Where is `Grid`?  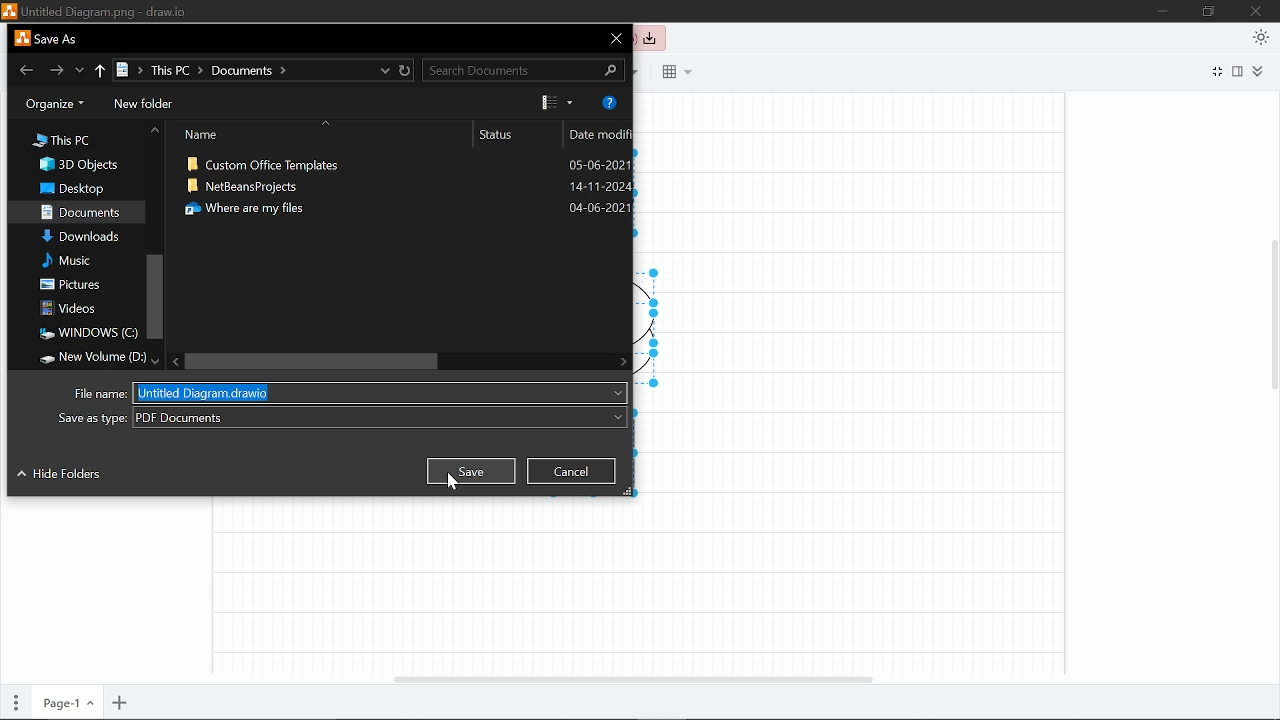 Grid is located at coordinates (675, 72).